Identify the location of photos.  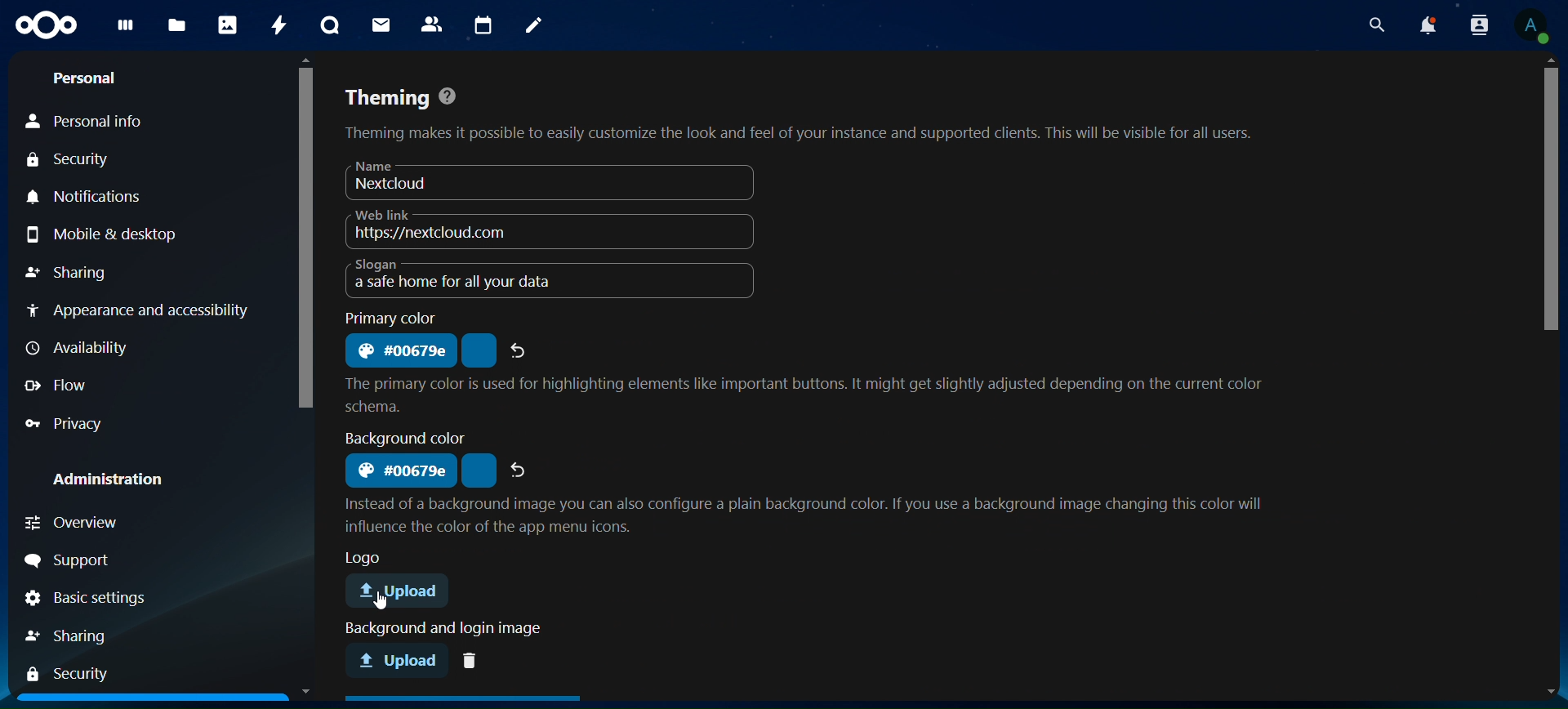
(227, 25).